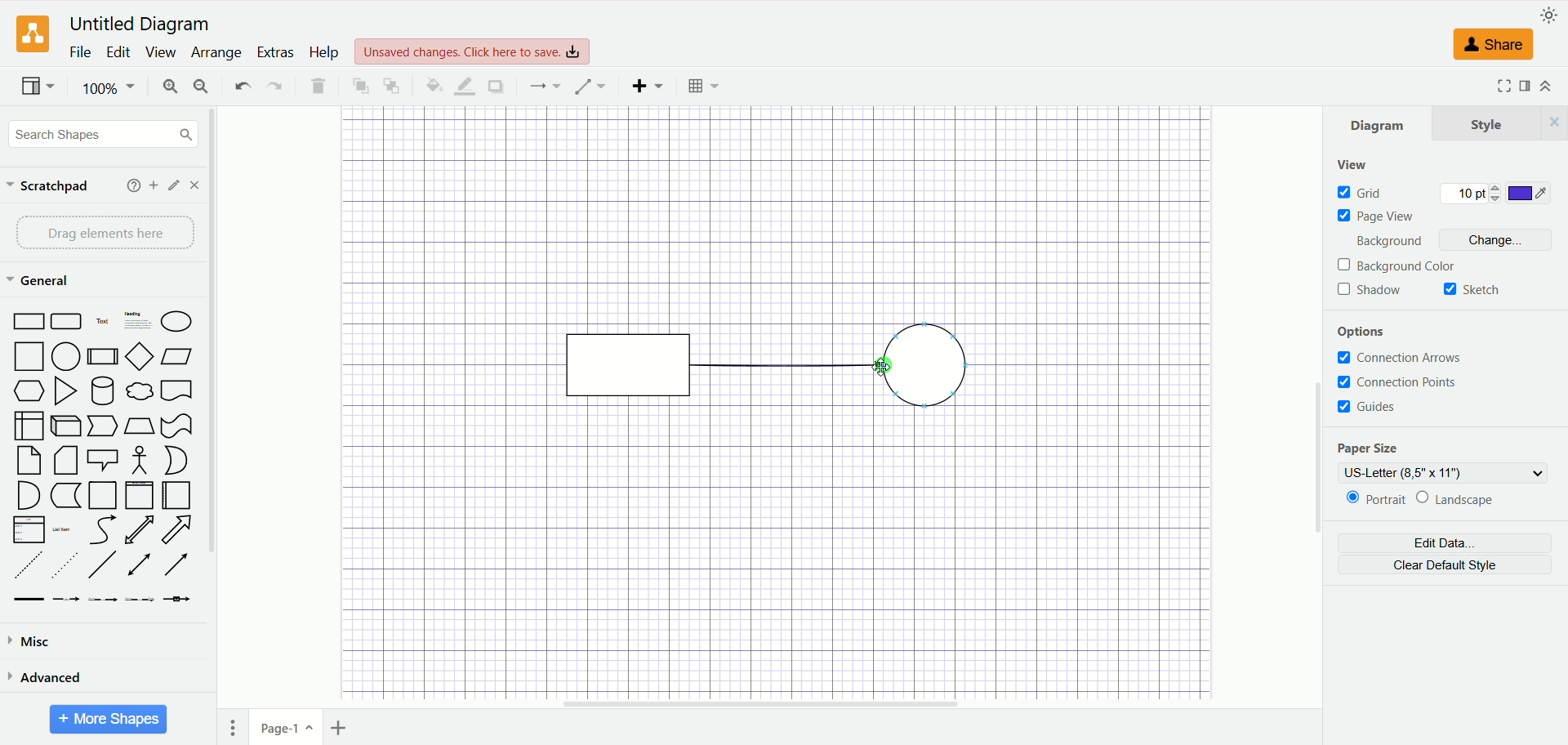 The width and height of the screenshot is (1568, 745). What do you see at coordinates (1365, 191) in the screenshot?
I see `grid` at bounding box center [1365, 191].